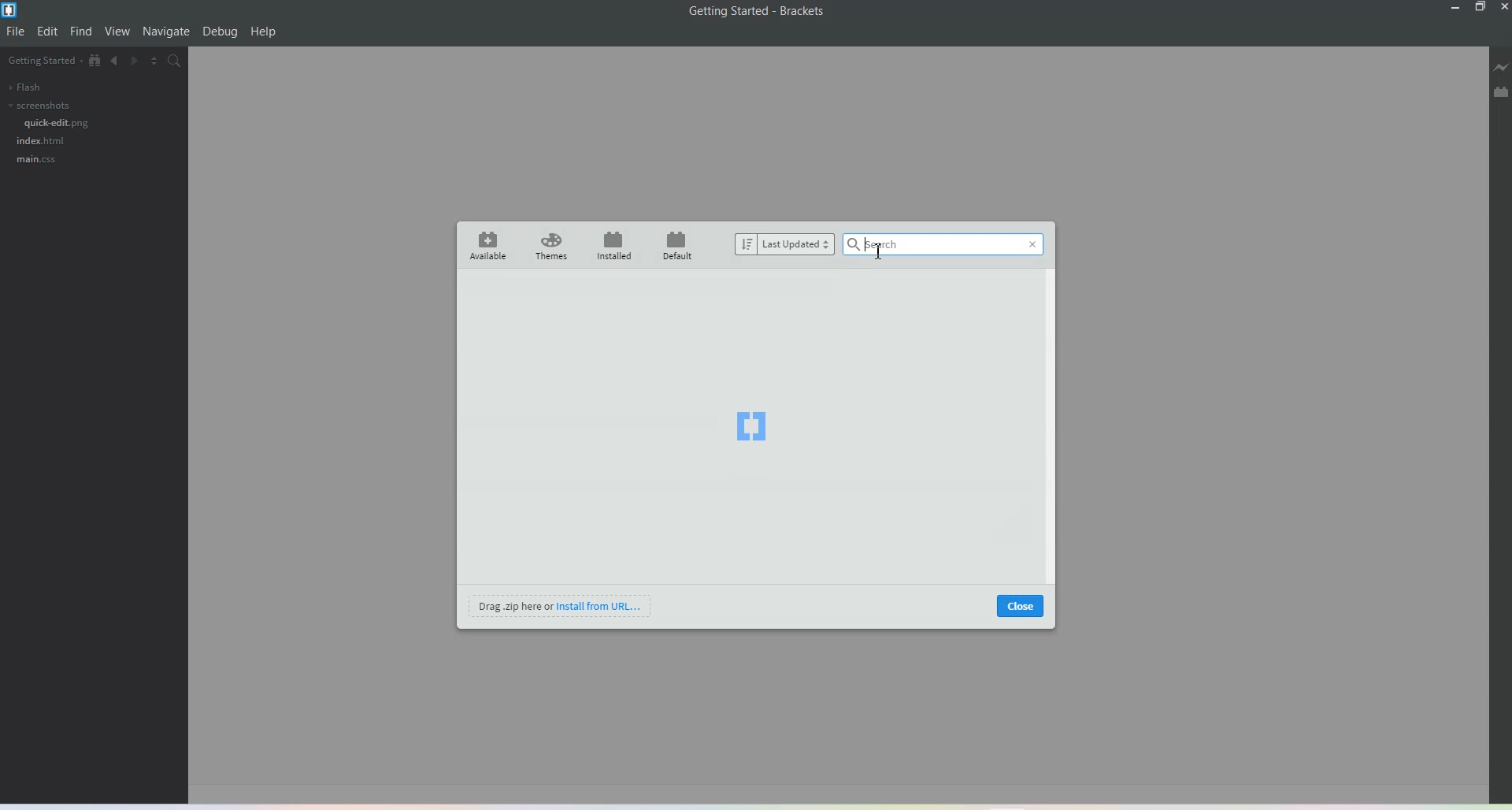 Image resolution: width=1512 pixels, height=810 pixels. What do you see at coordinates (680, 244) in the screenshot?
I see `Default` at bounding box center [680, 244].